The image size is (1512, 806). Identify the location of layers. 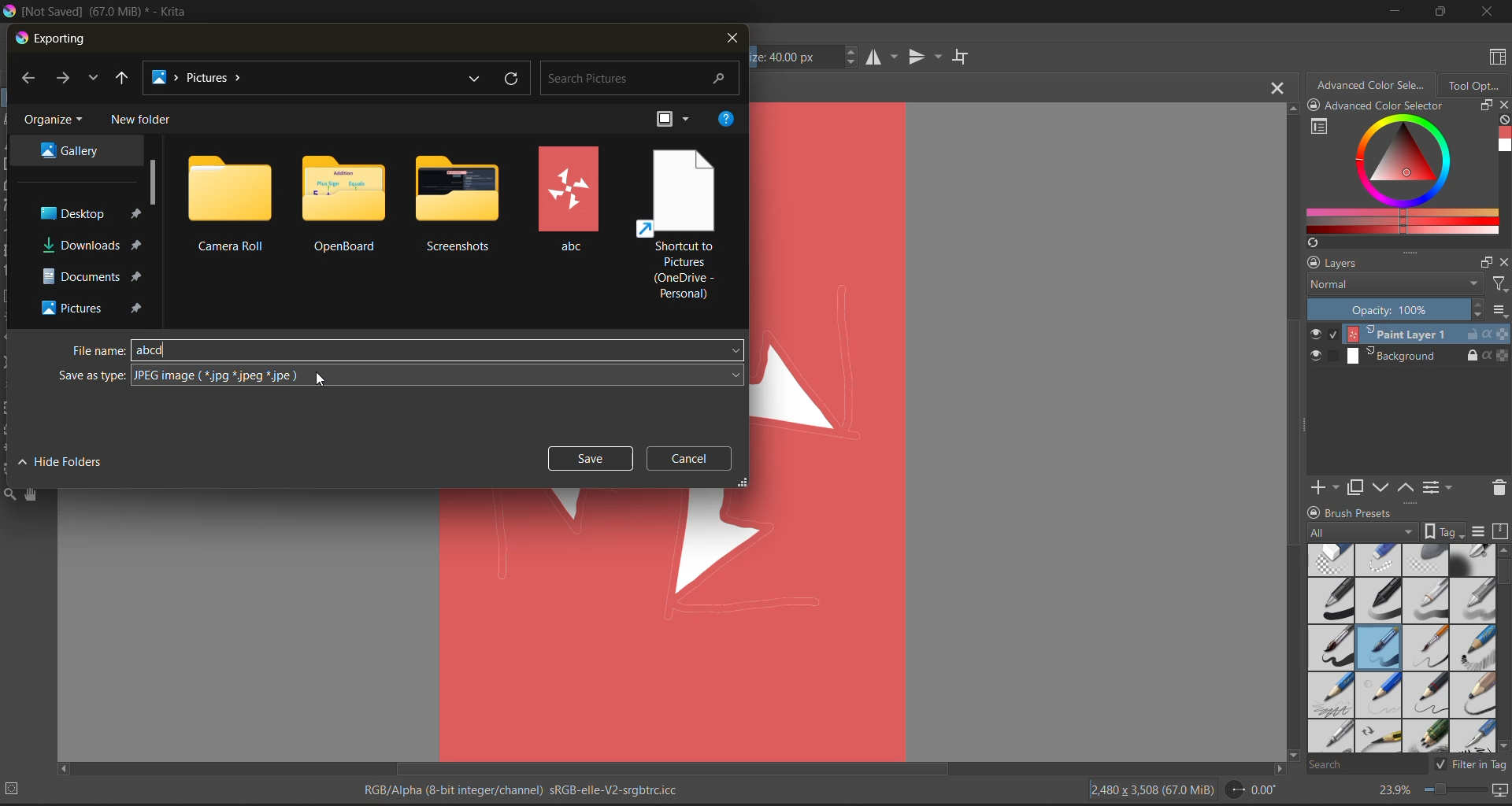
(1387, 264).